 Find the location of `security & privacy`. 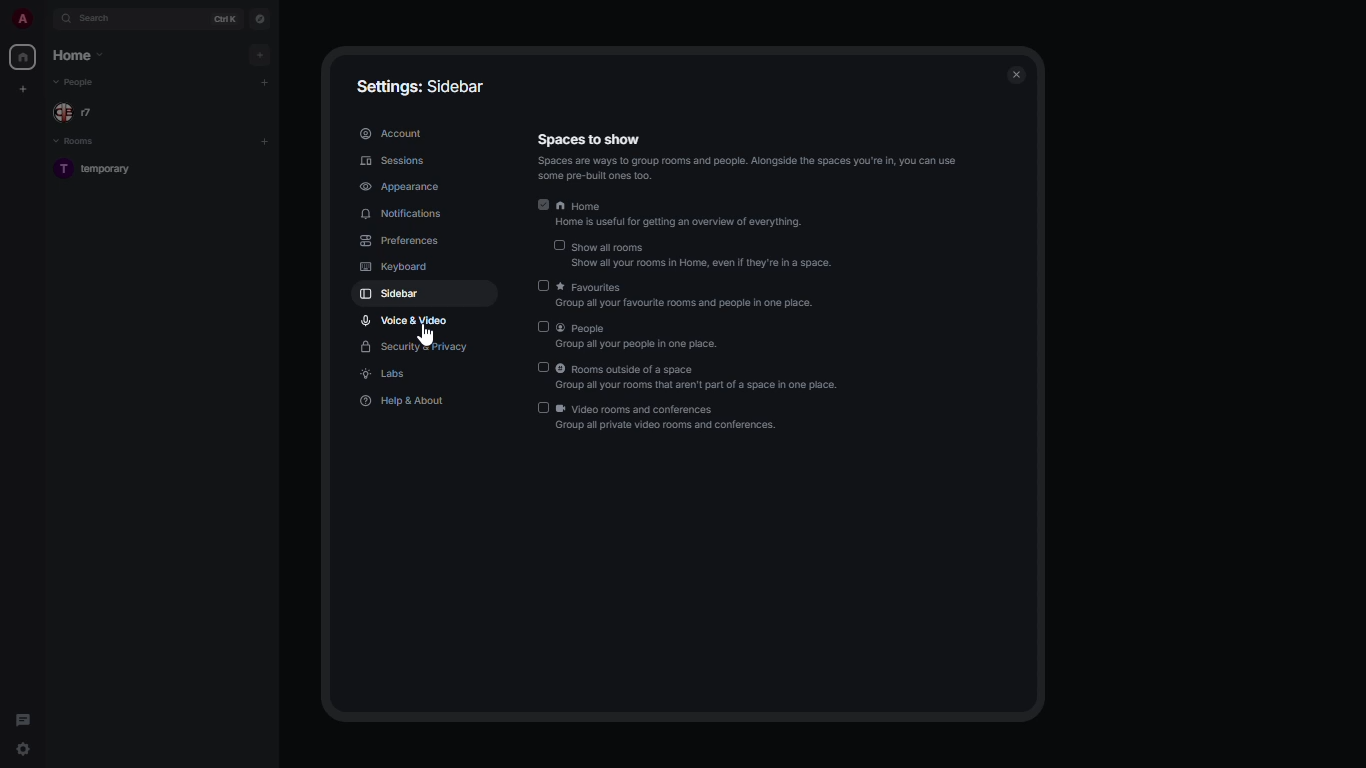

security & privacy is located at coordinates (416, 348).